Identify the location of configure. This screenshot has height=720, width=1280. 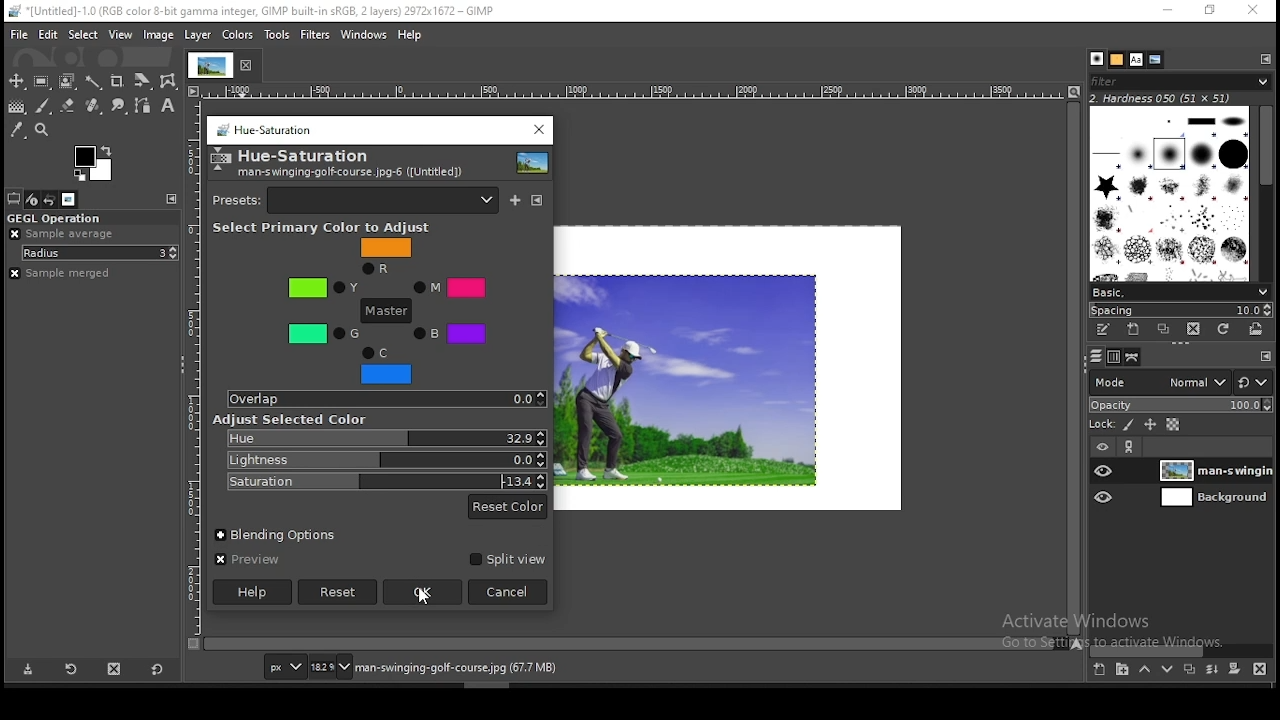
(537, 201).